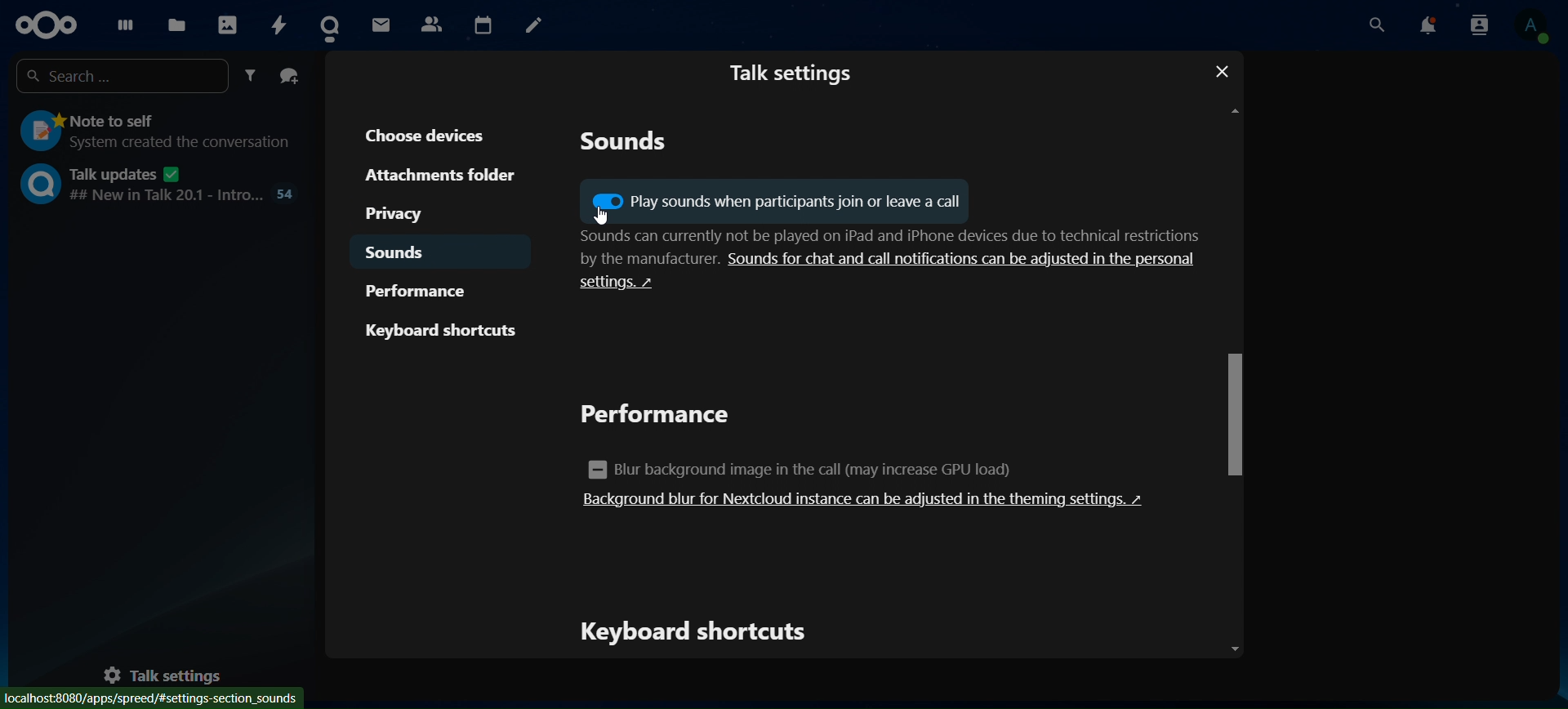 Image resolution: width=1568 pixels, height=709 pixels. What do you see at coordinates (597, 216) in the screenshot?
I see `Cursor` at bounding box center [597, 216].